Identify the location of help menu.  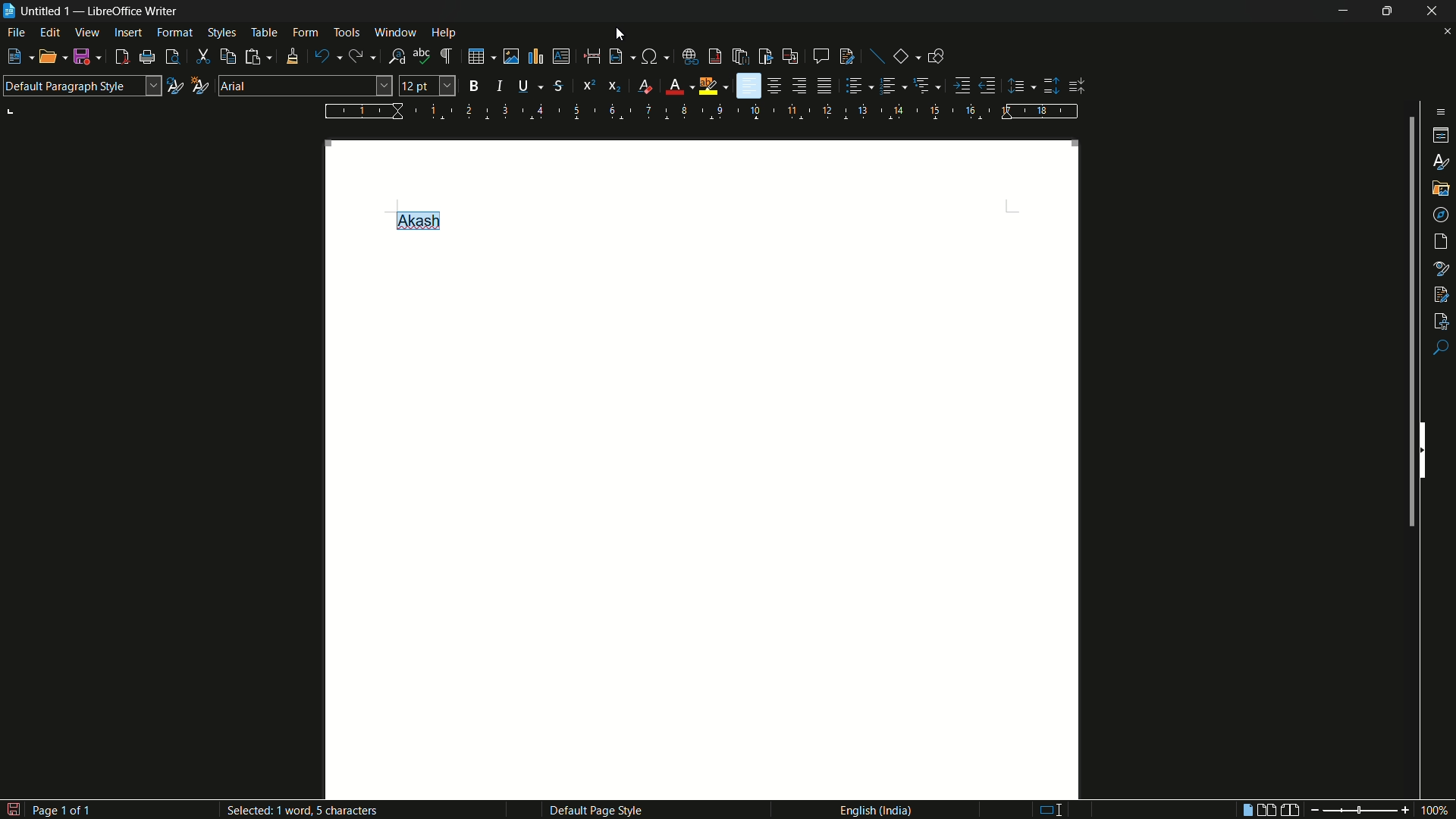
(444, 33).